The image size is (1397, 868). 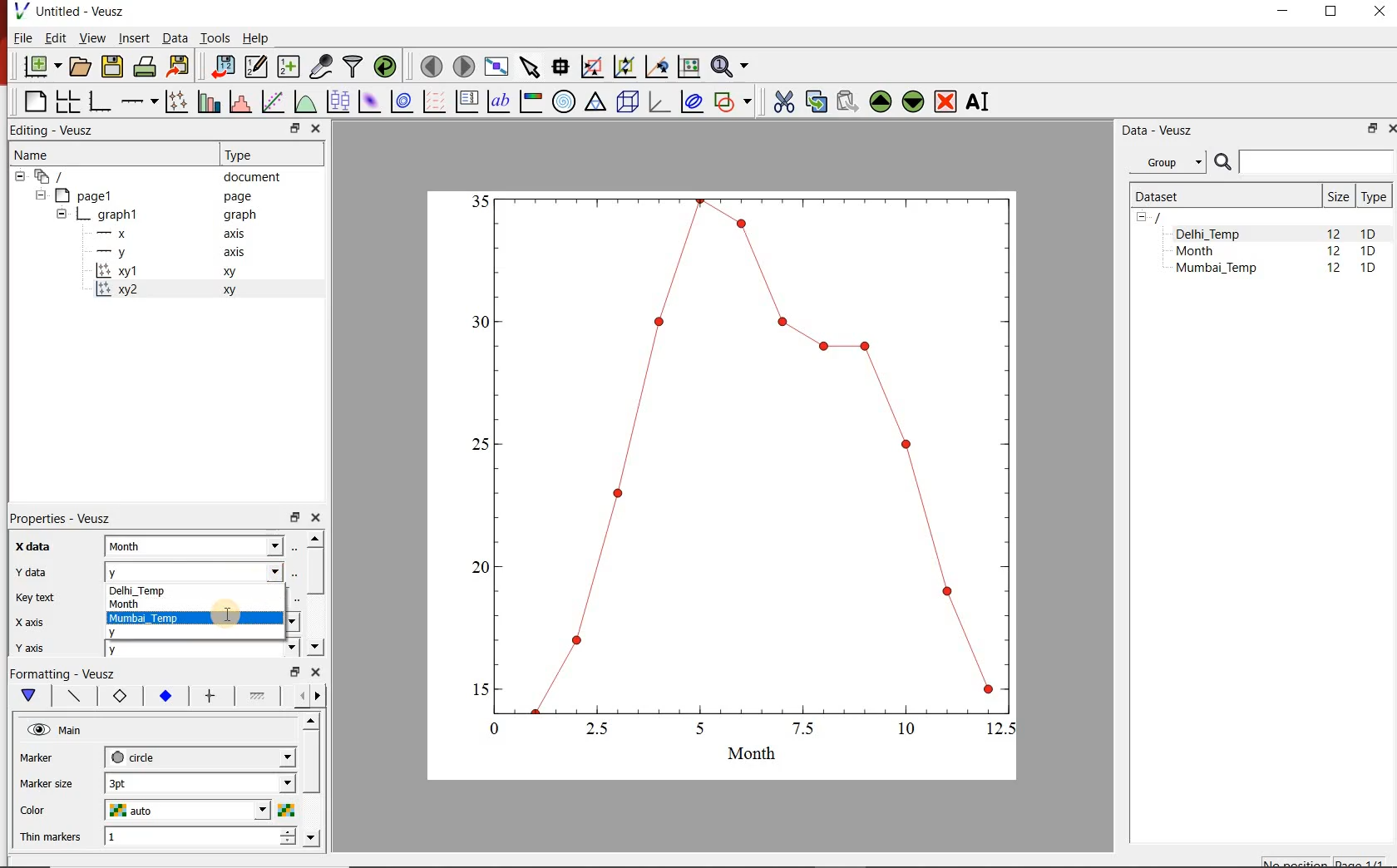 What do you see at coordinates (979, 102) in the screenshot?
I see `renames the selected widget` at bounding box center [979, 102].